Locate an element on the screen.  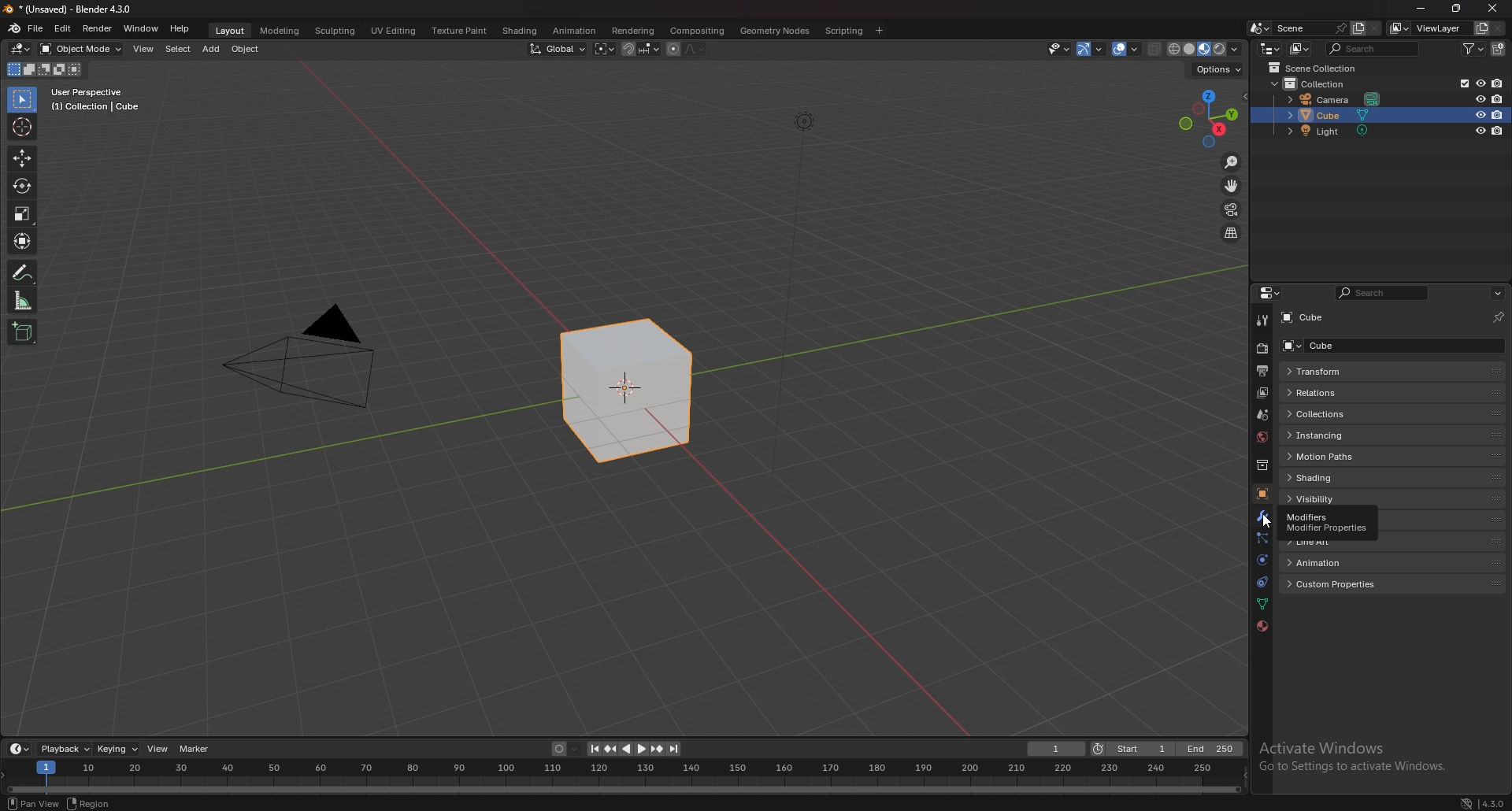
remove view layer is located at coordinates (1499, 28).